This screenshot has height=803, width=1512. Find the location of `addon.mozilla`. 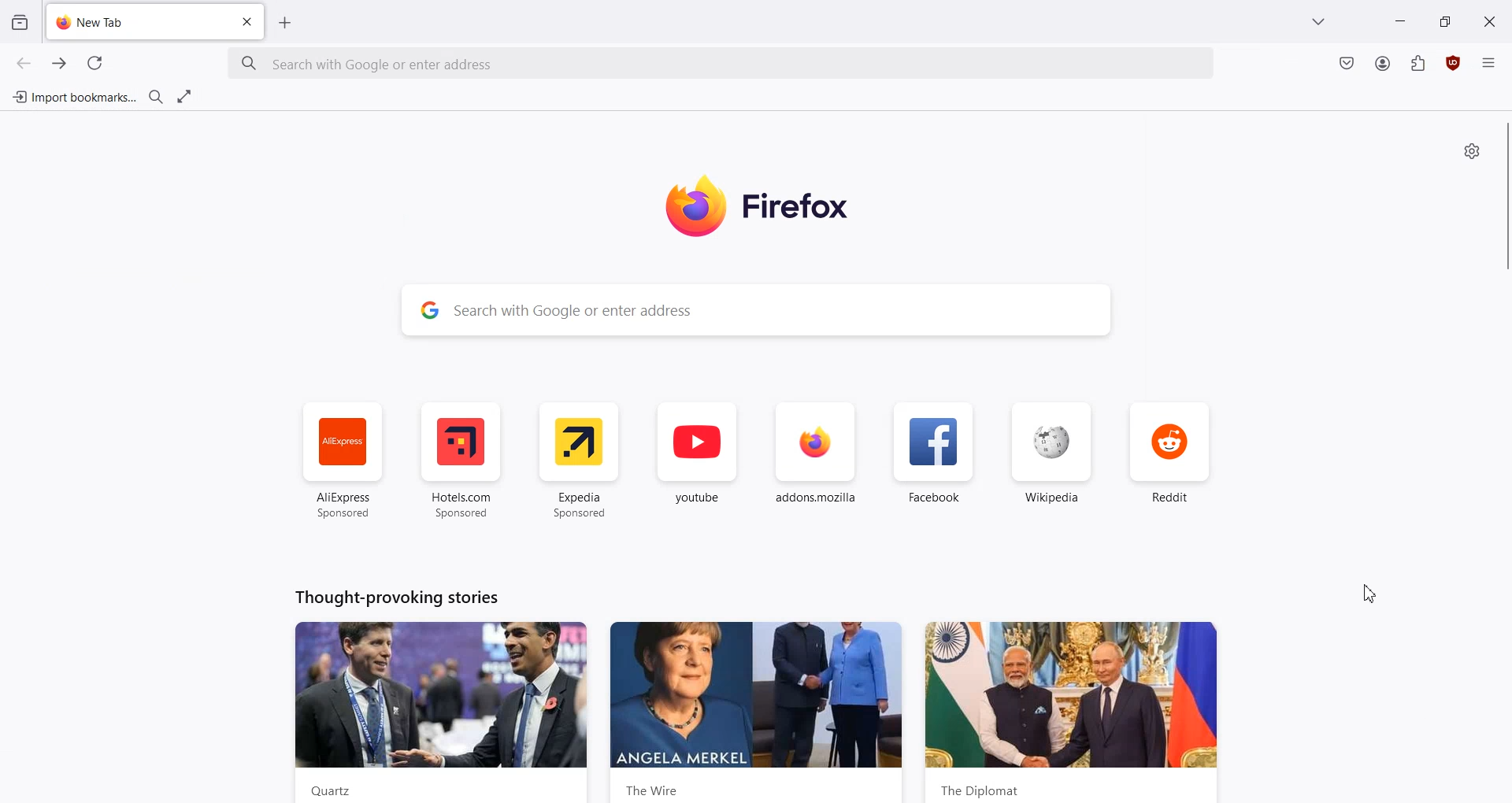

addon.mozilla is located at coordinates (816, 461).